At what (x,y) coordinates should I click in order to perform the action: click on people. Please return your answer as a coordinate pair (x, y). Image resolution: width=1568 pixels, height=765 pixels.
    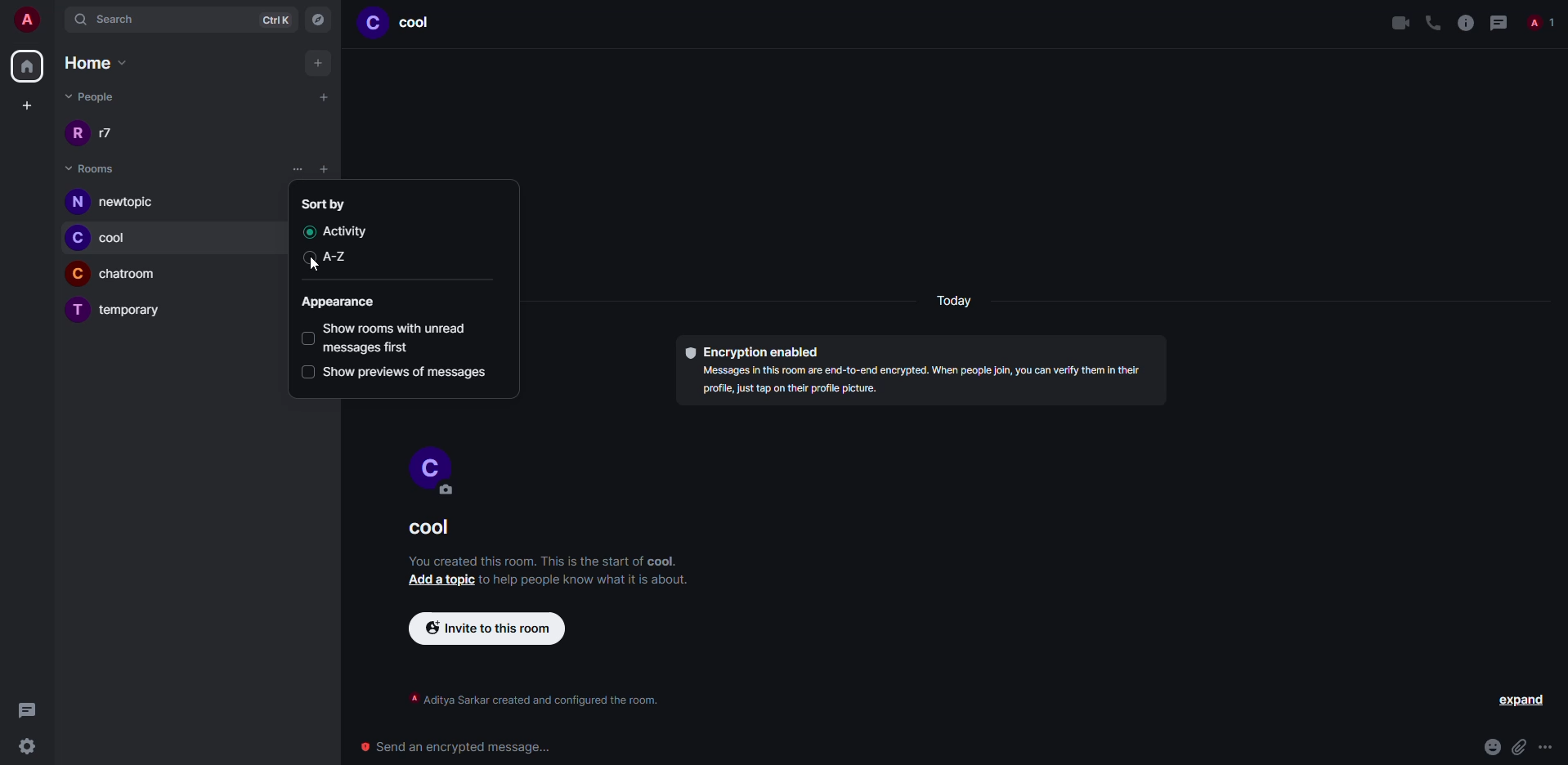
    Looking at the image, I should click on (1541, 20).